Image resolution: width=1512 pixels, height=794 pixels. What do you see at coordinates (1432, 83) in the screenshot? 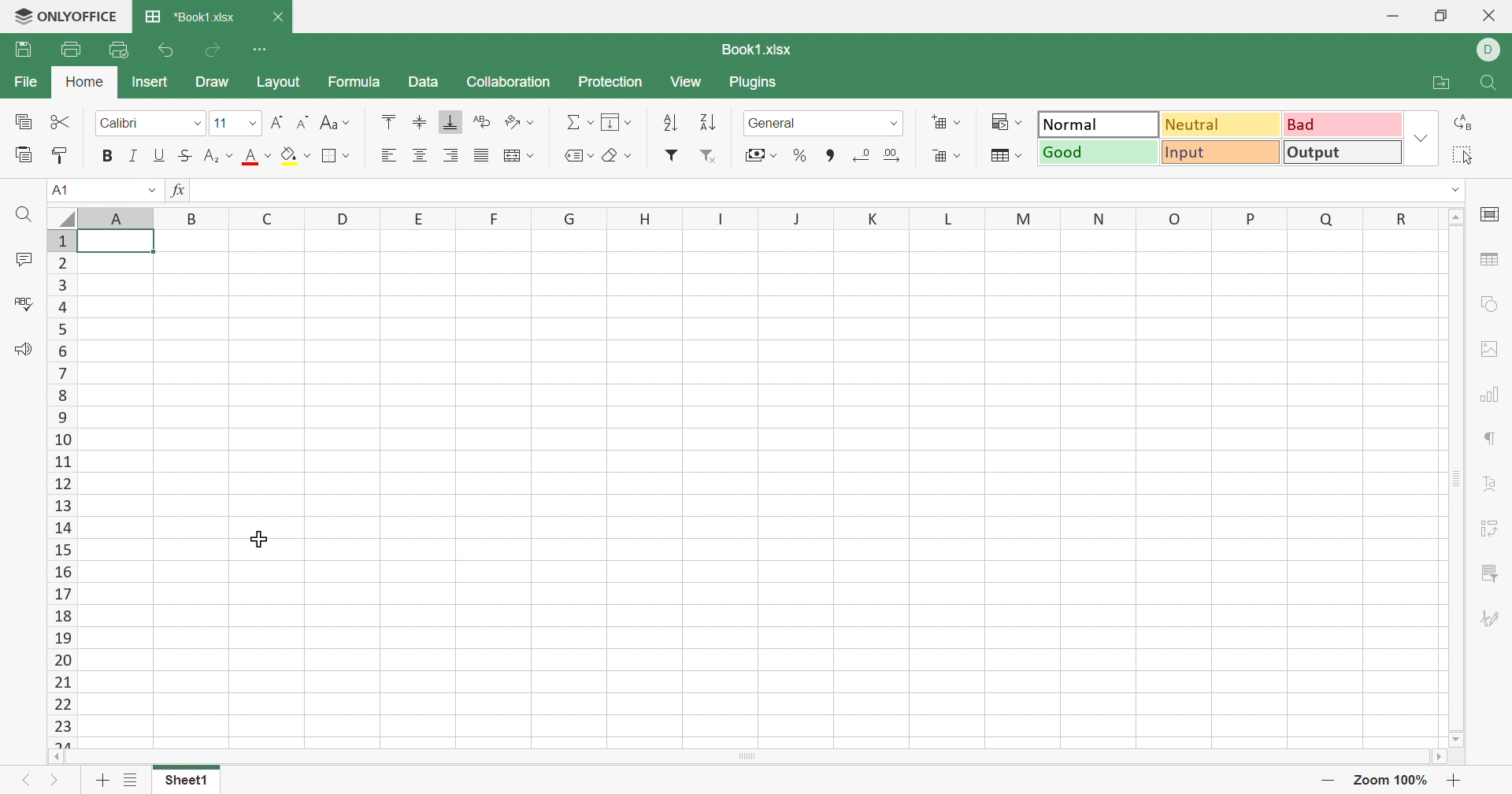
I see `Open file location` at bounding box center [1432, 83].